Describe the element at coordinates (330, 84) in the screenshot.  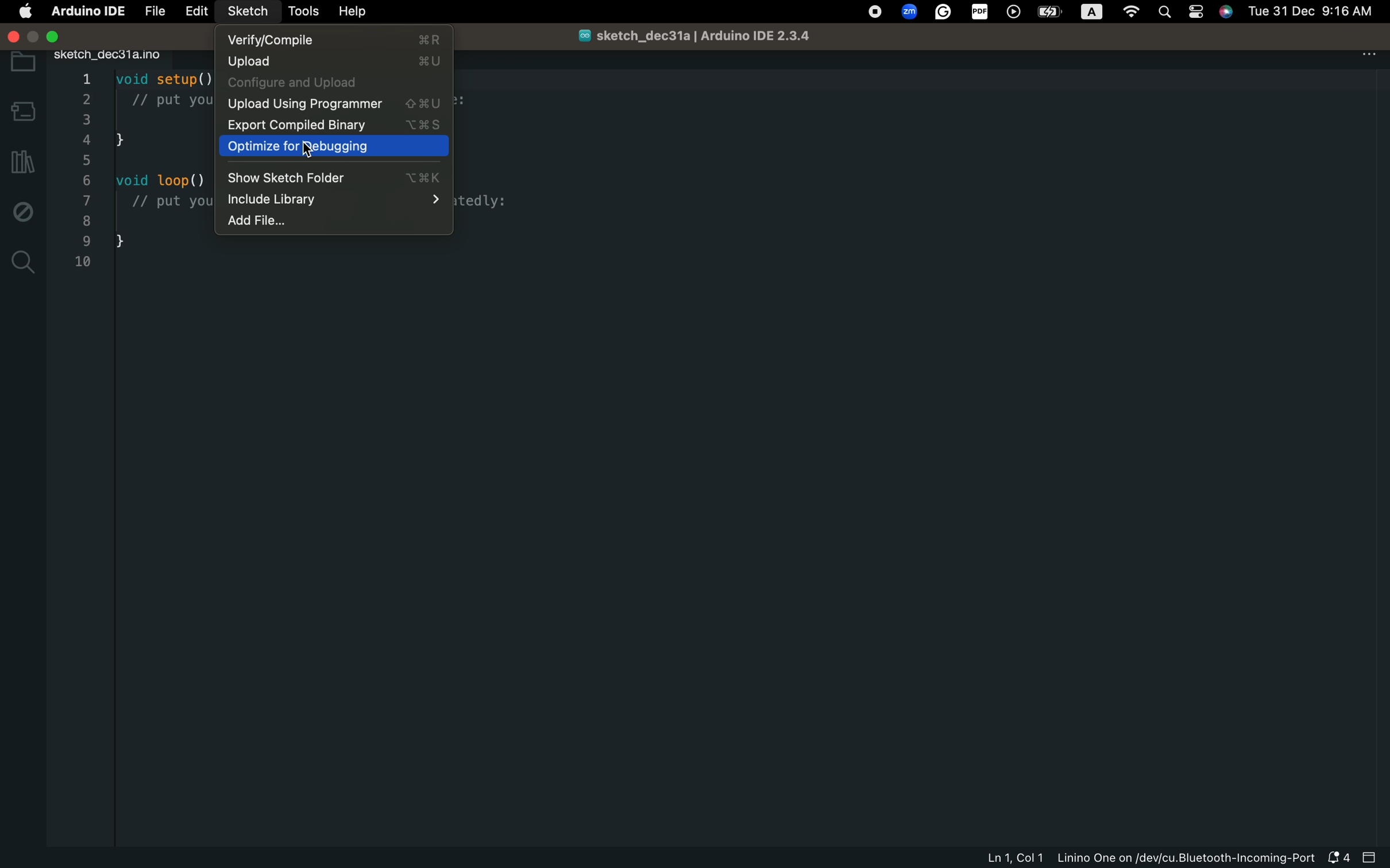
I see `cinfigure ` at that location.